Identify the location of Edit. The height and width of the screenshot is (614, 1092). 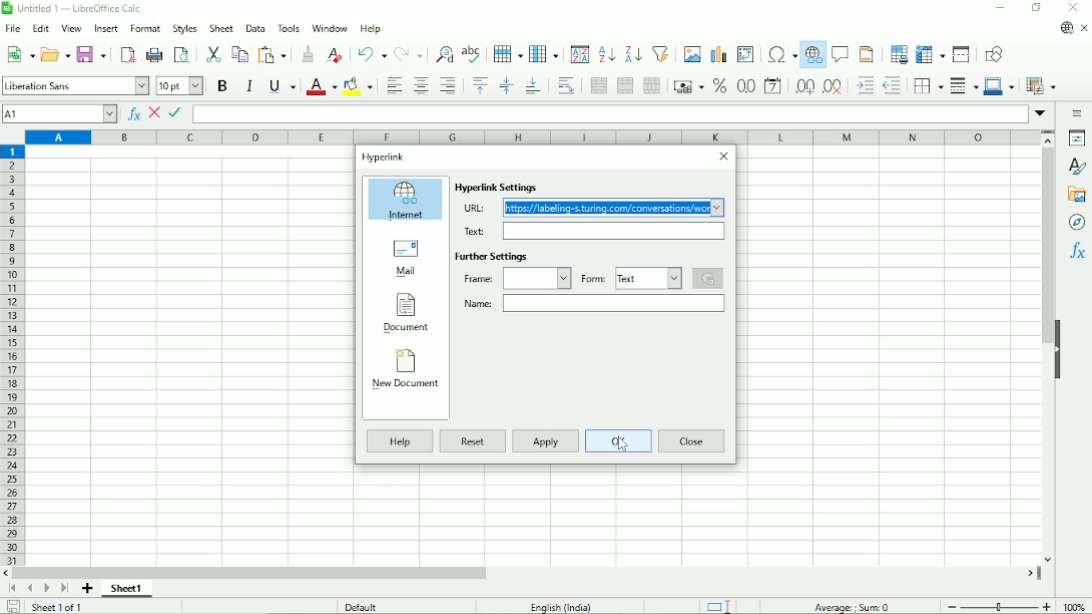
(41, 28).